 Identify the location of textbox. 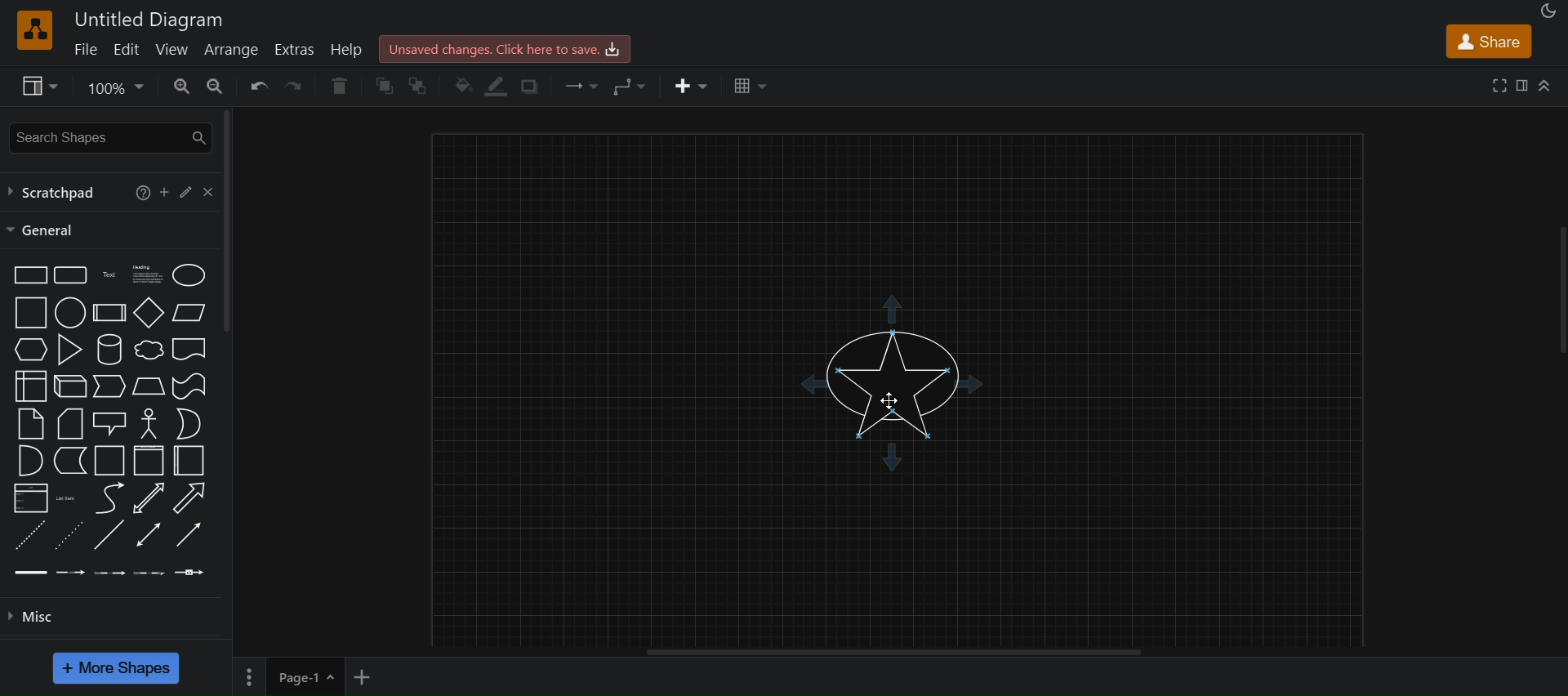
(150, 274).